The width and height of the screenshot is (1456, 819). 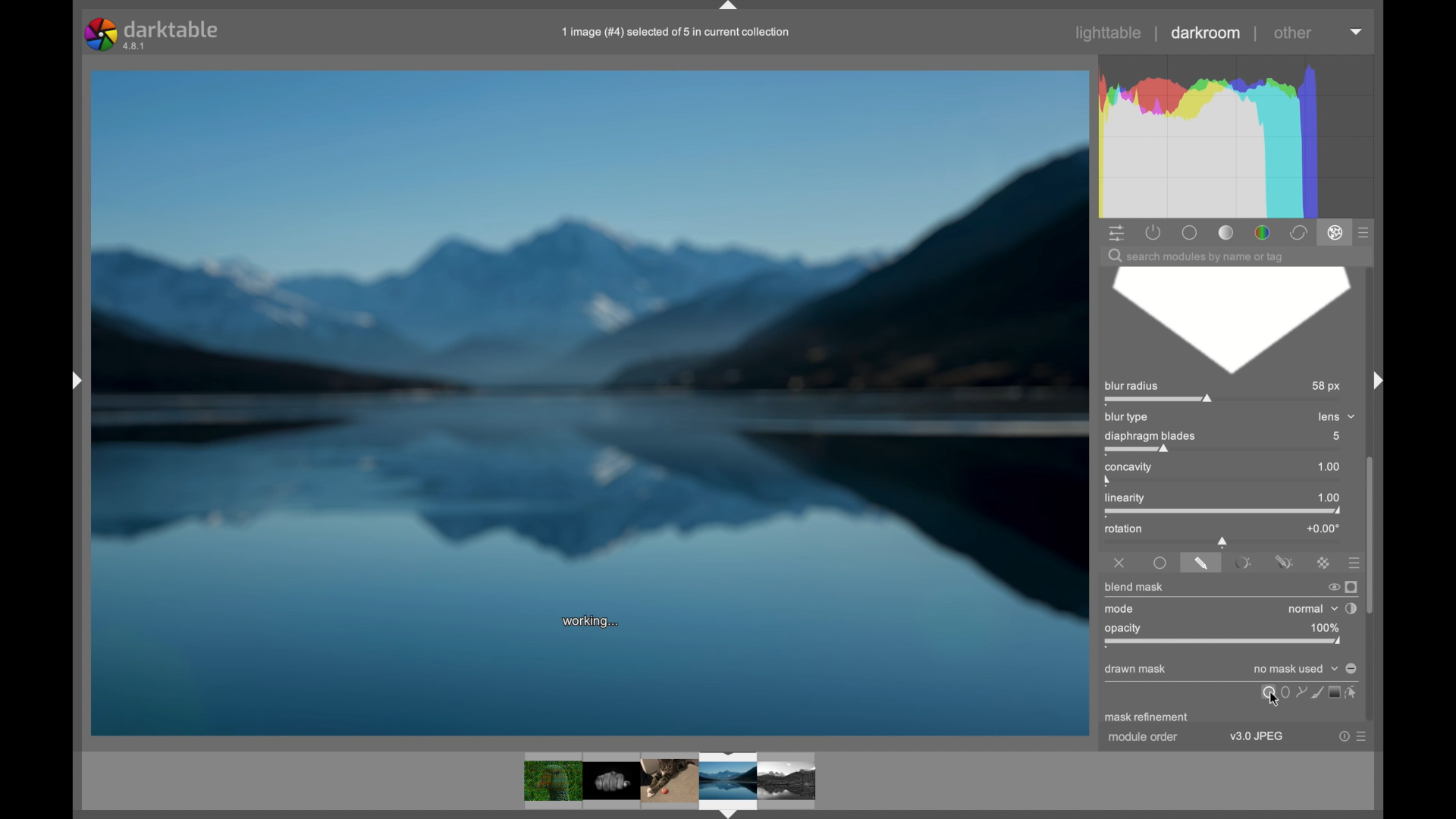 I want to click on normal dropdown, so click(x=1312, y=608).